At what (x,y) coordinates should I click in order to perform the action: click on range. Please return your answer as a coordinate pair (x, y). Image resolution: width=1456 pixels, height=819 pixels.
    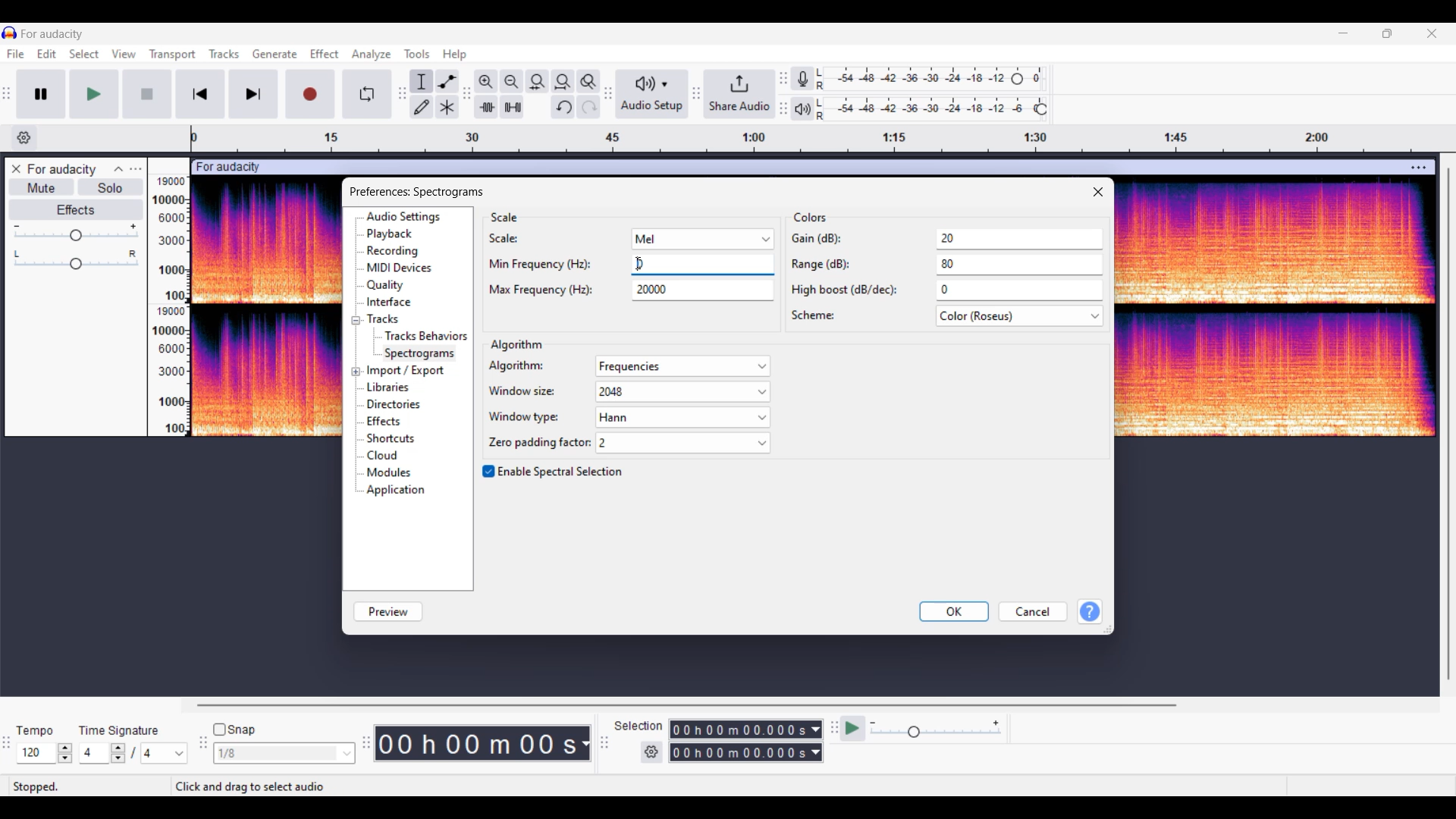
    Looking at the image, I should click on (945, 268).